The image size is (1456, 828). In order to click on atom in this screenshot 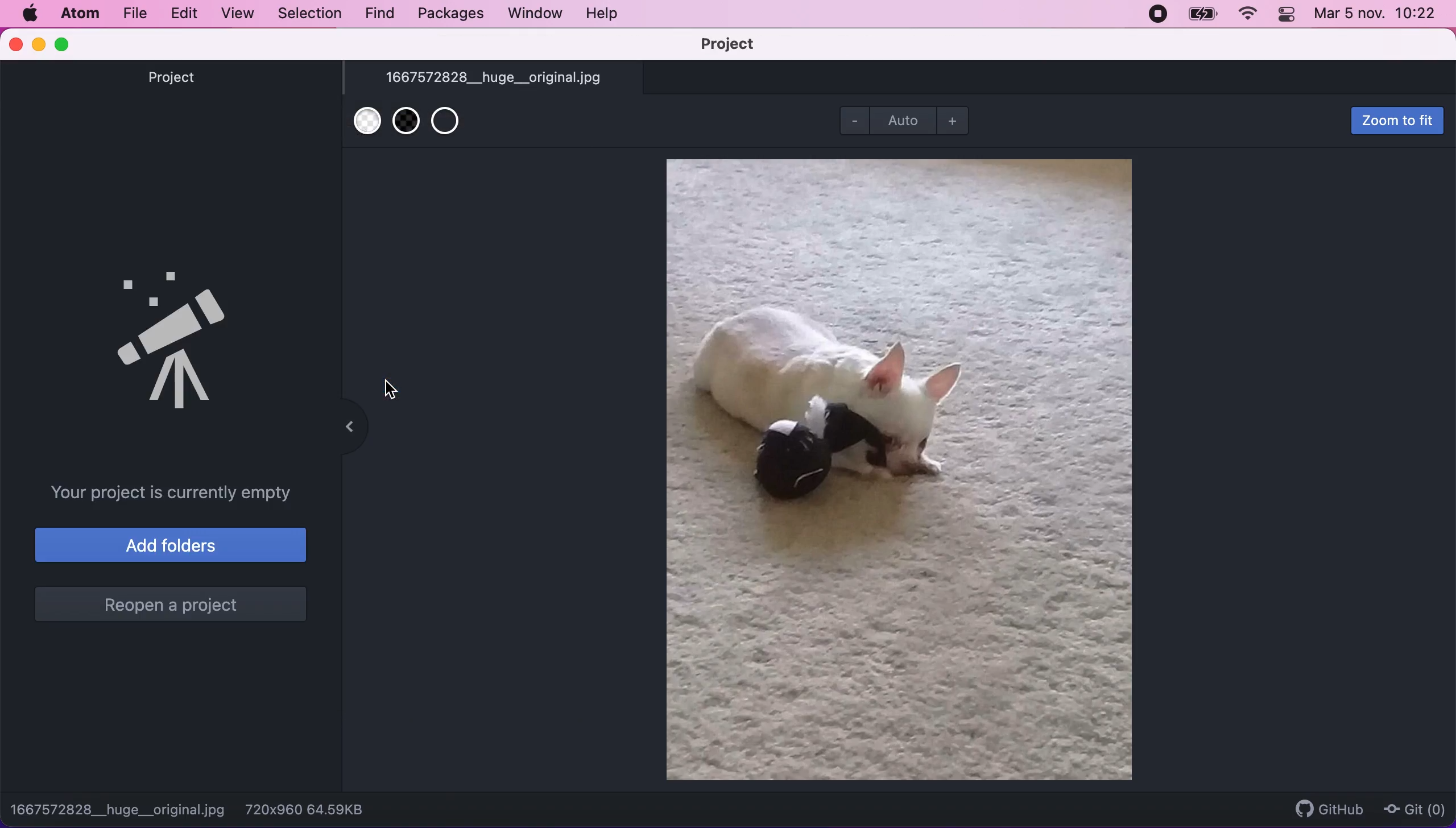, I will do `click(79, 13)`.